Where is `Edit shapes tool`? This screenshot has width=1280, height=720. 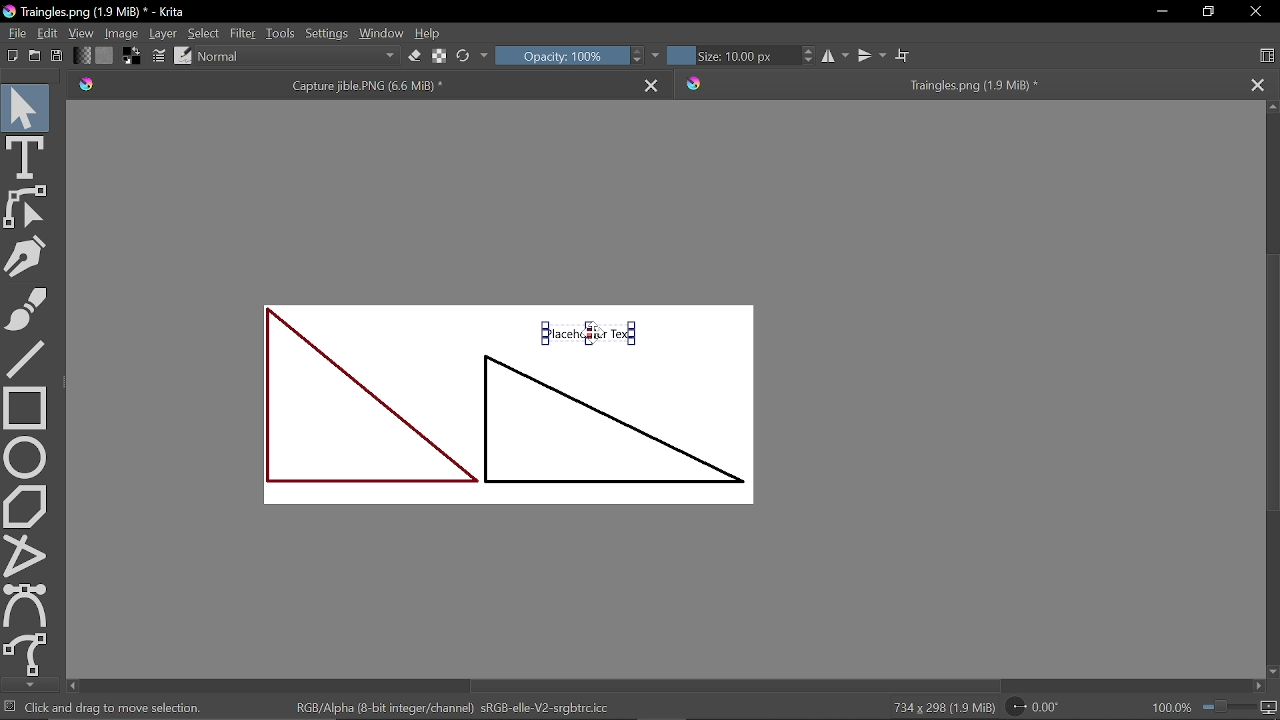 Edit shapes tool is located at coordinates (28, 209).